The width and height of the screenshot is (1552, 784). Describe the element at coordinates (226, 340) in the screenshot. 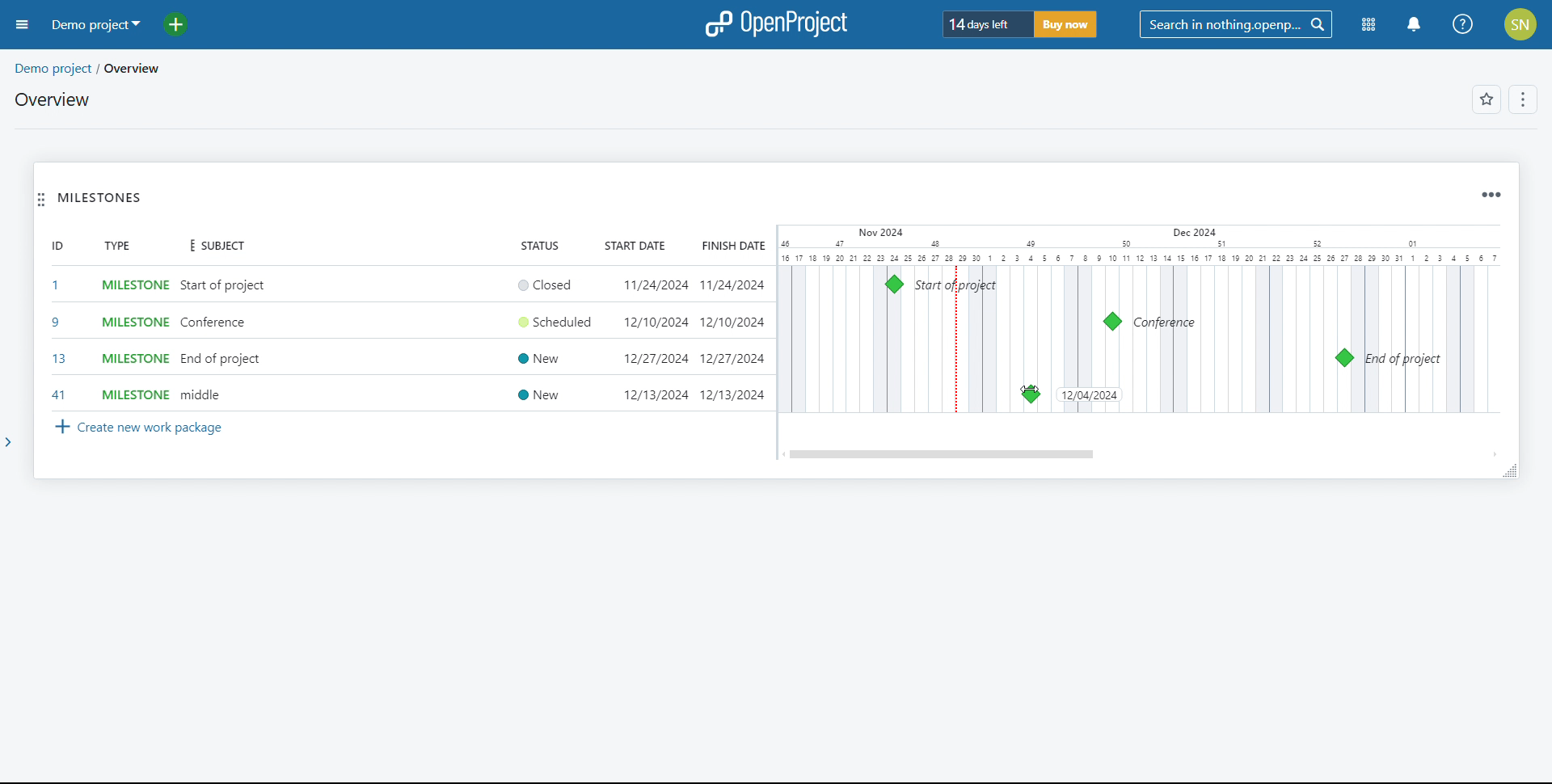

I see `add subject` at that location.